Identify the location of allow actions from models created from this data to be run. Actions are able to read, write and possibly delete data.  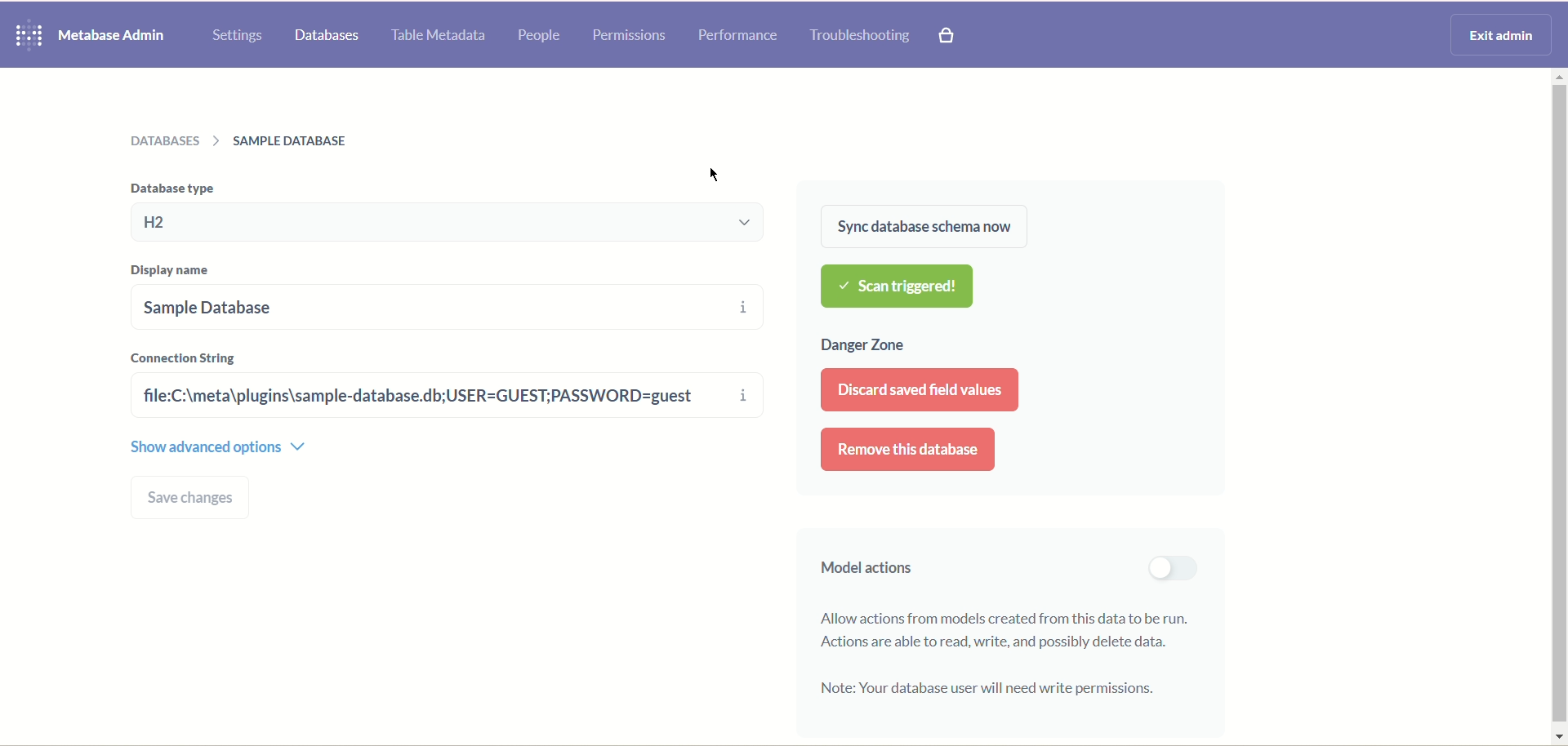
(1011, 628).